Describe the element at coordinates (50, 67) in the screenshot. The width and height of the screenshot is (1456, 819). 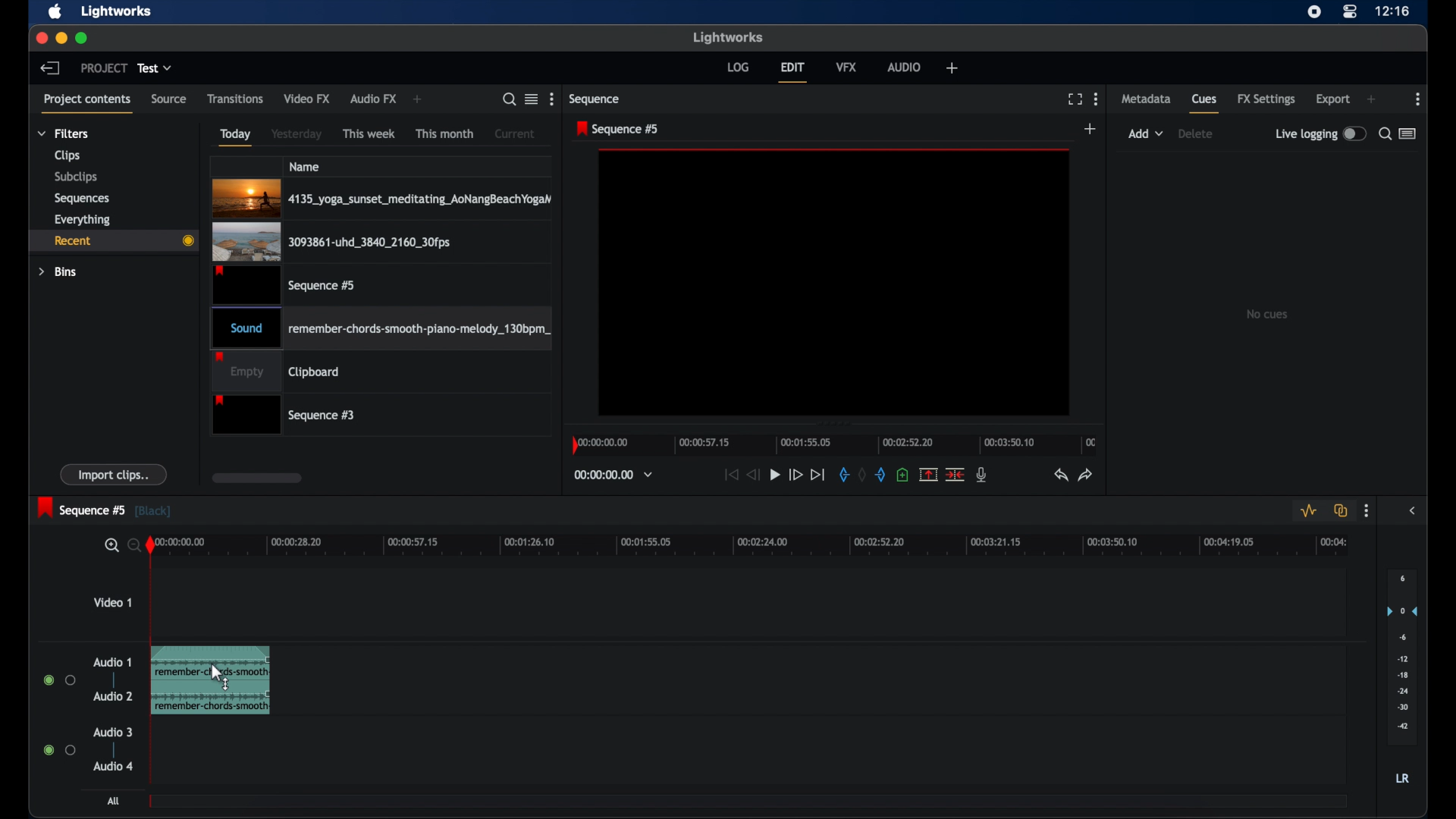
I see `back` at that location.